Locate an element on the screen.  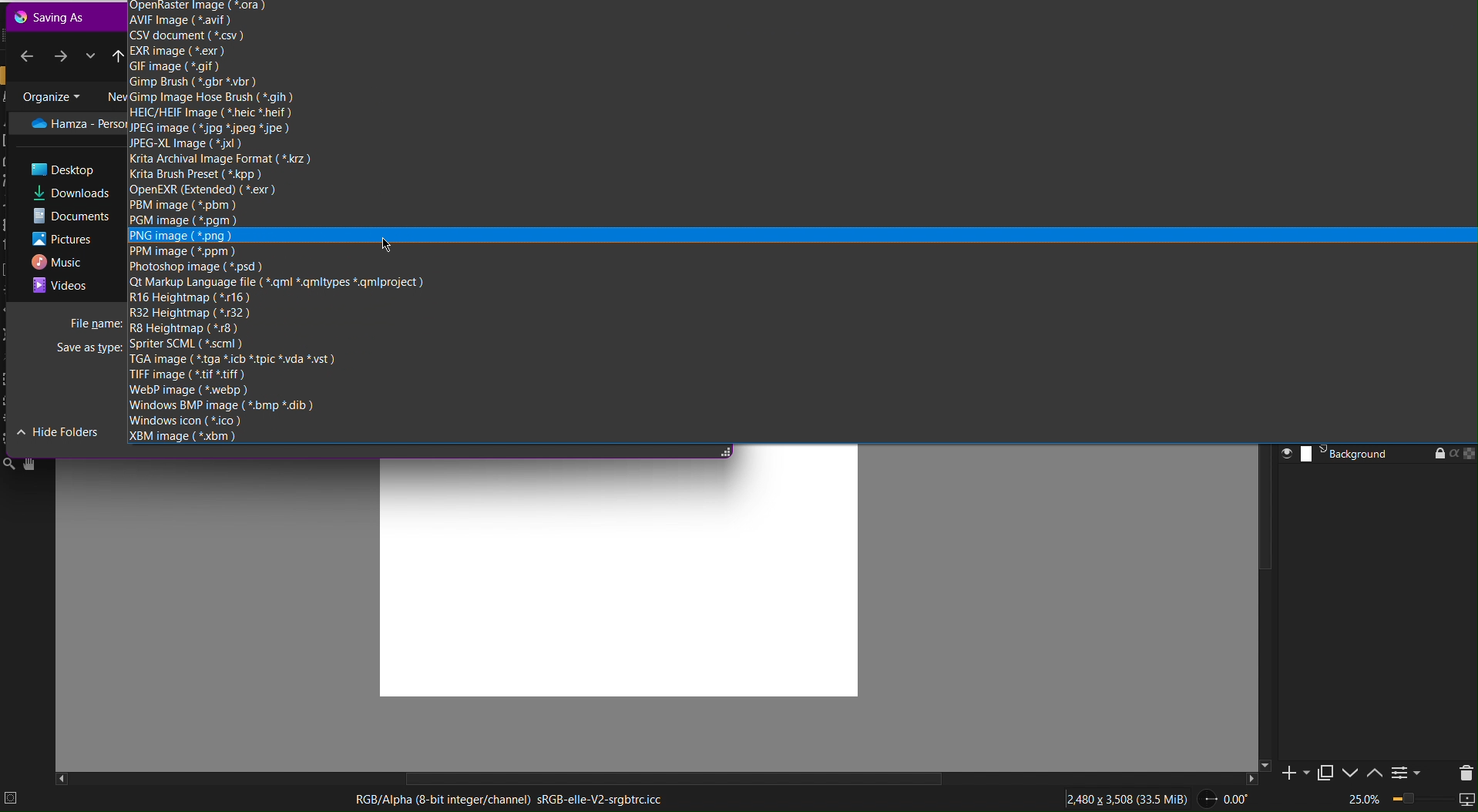
Folders is located at coordinates (71, 204).